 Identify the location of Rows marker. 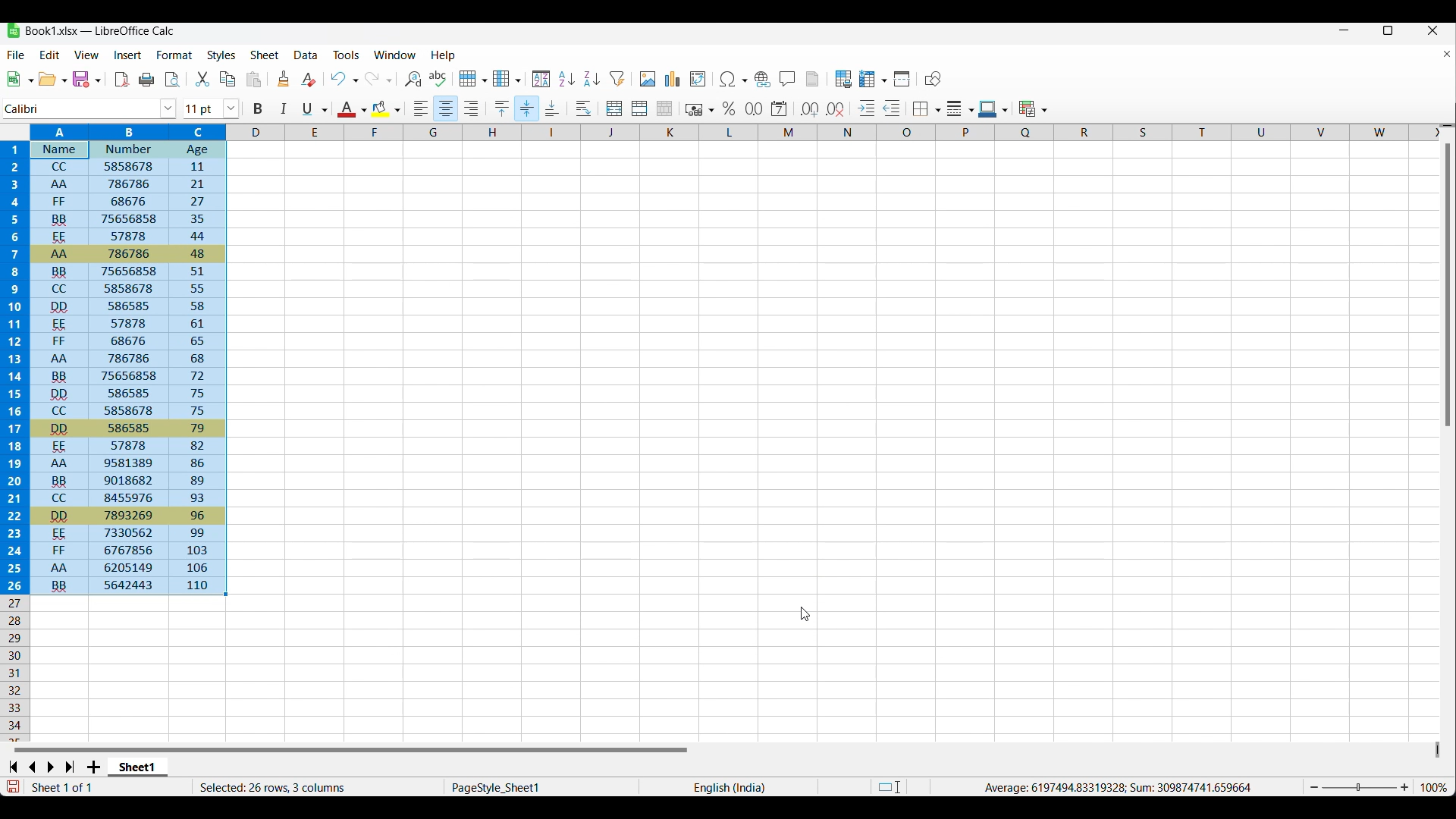
(17, 669).